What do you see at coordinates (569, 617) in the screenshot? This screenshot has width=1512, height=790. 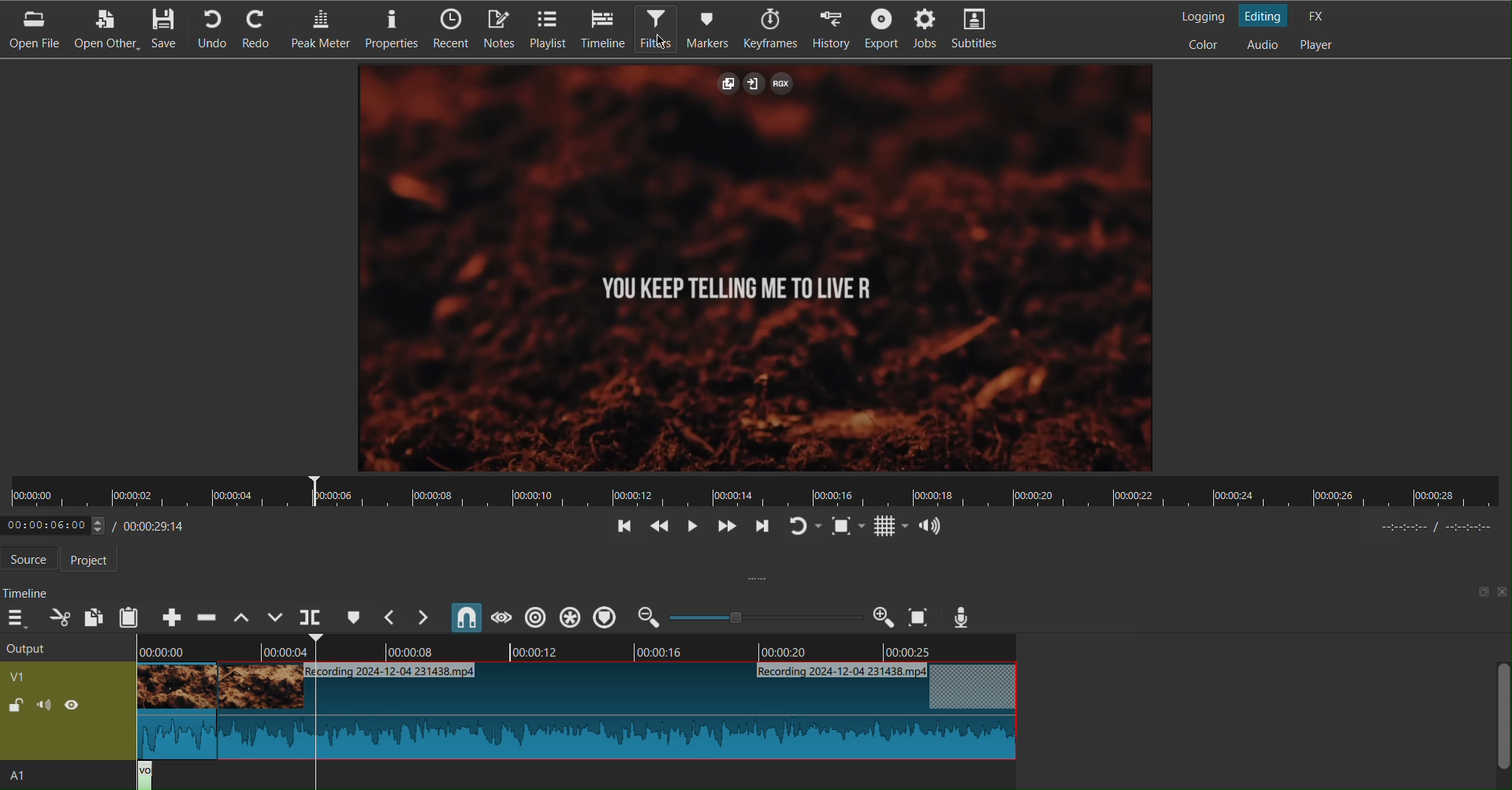 I see `Ripple` at bounding box center [569, 617].